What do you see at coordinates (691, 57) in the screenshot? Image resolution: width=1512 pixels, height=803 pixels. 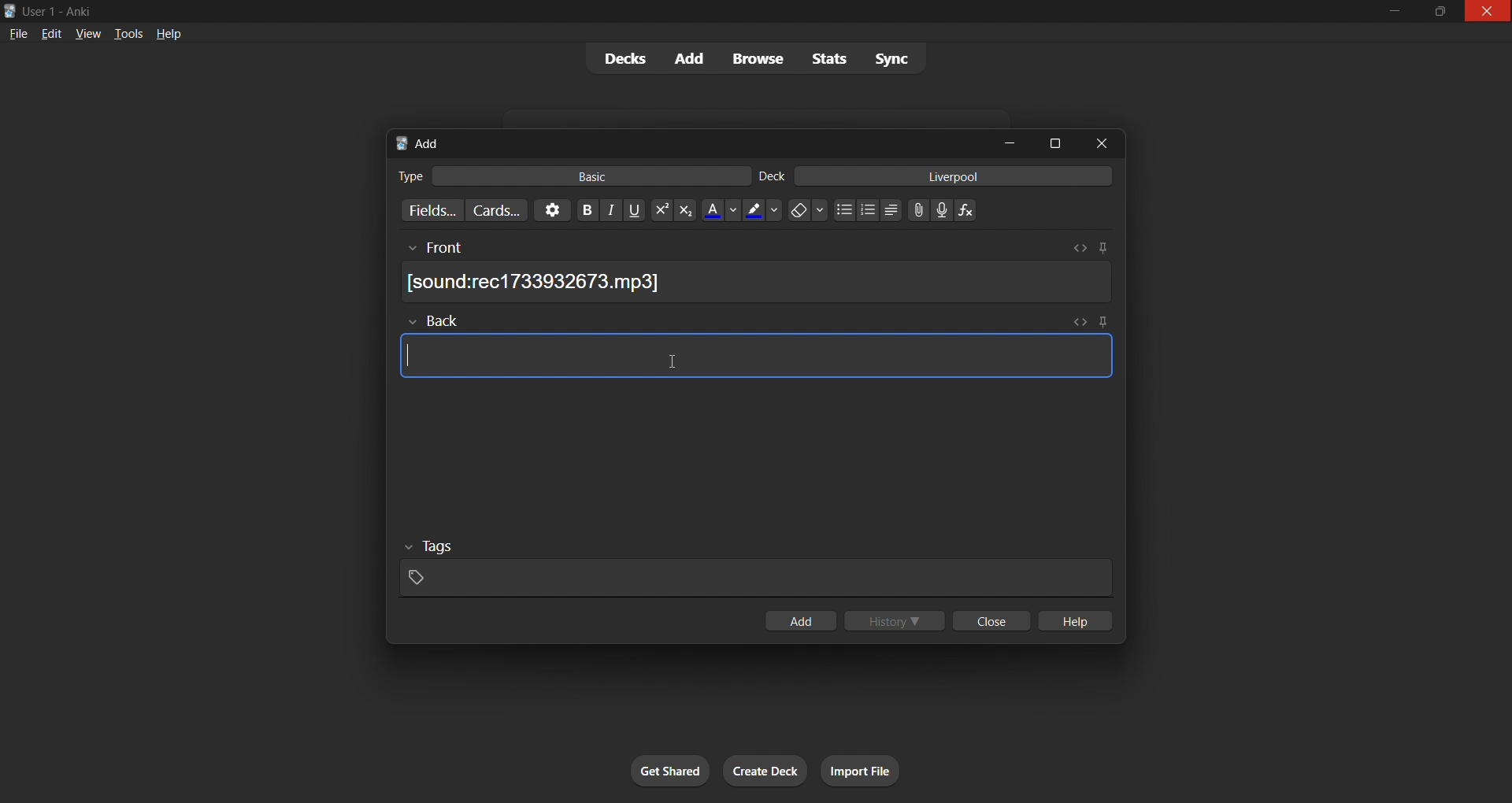 I see `add` at bounding box center [691, 57].